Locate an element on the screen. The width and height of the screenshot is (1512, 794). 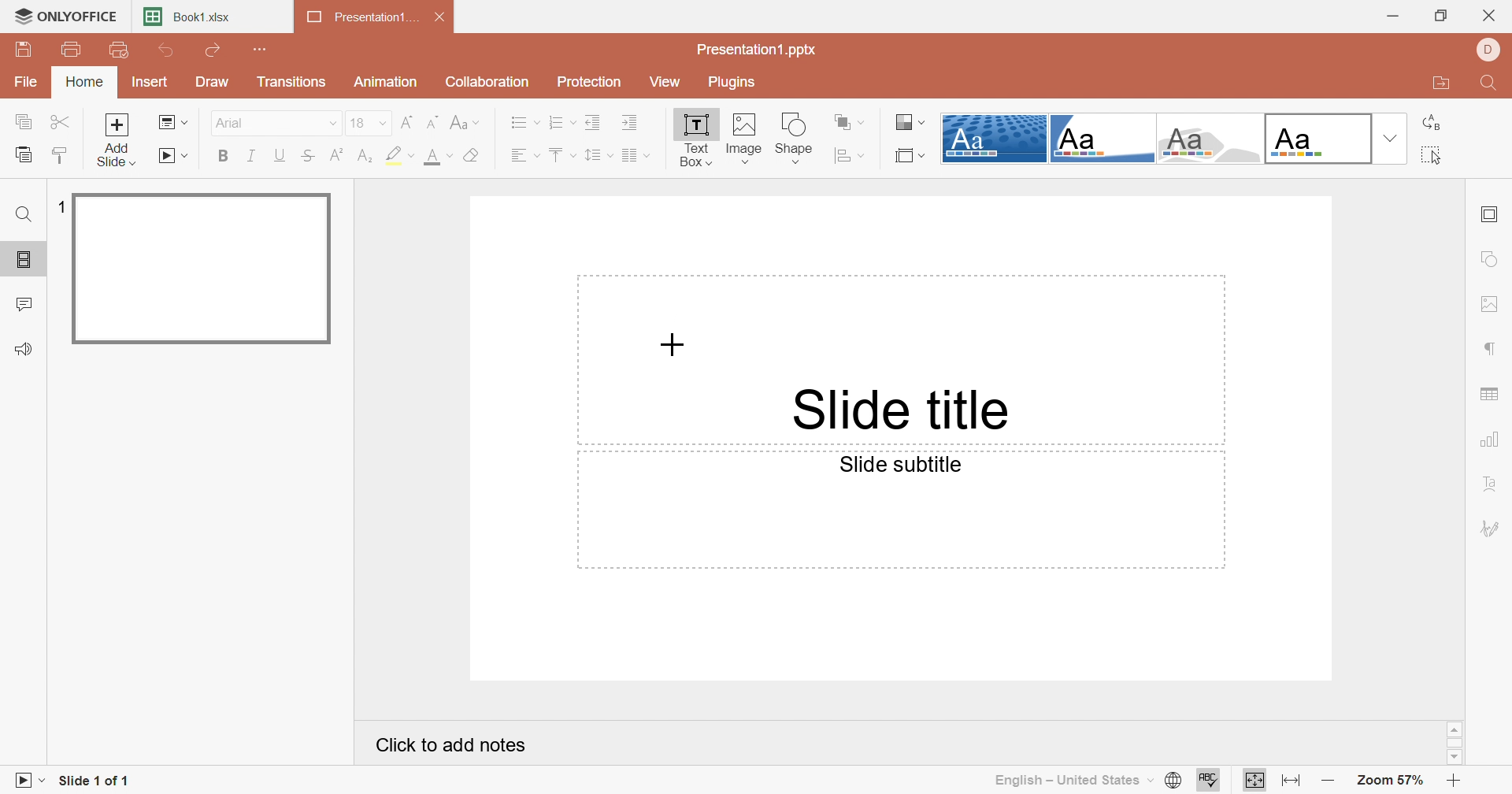
Presentation1.pptx is located at coordinates (757, 51).